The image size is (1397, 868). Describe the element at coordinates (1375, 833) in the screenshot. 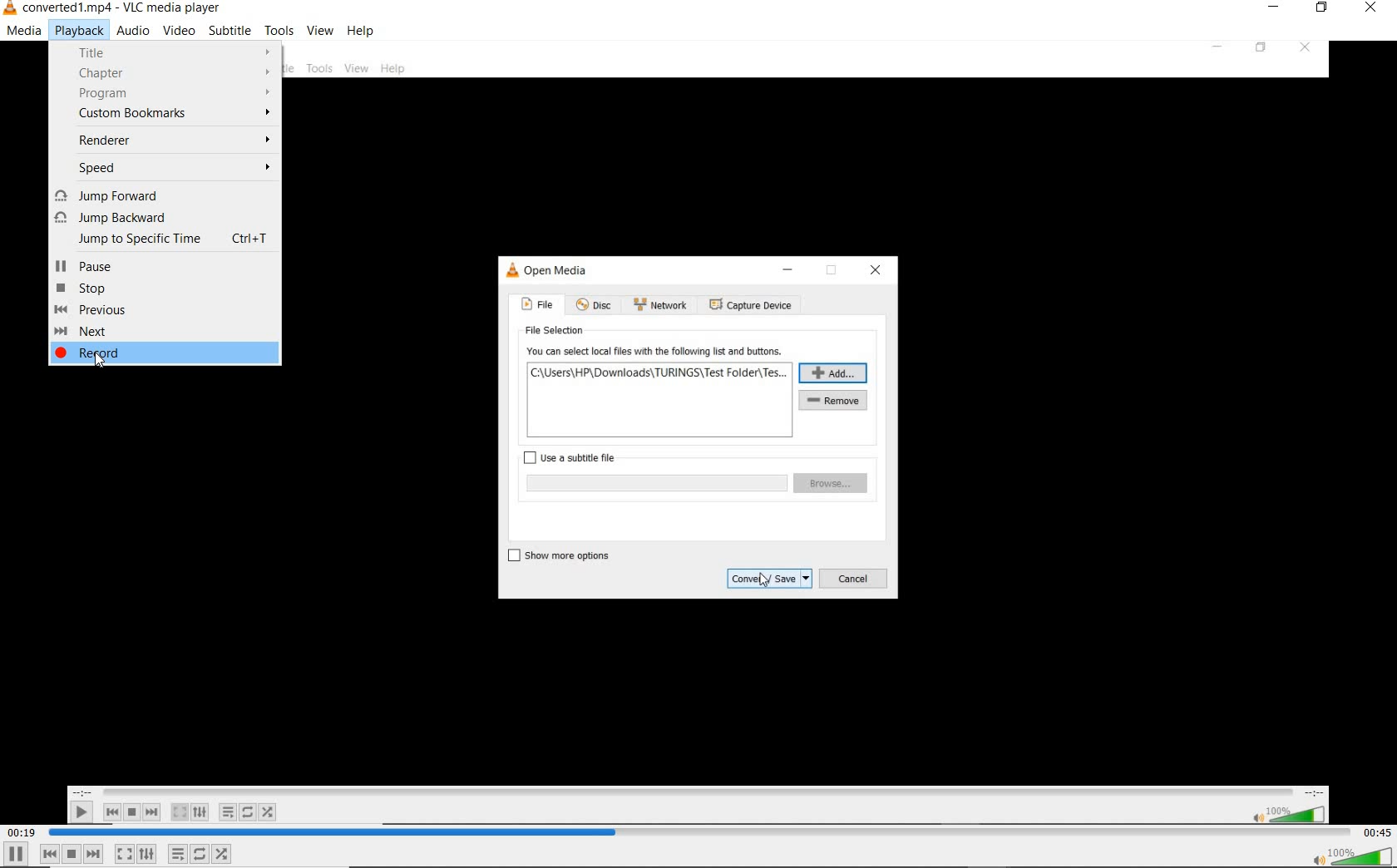

I see `remaining time` at that location.